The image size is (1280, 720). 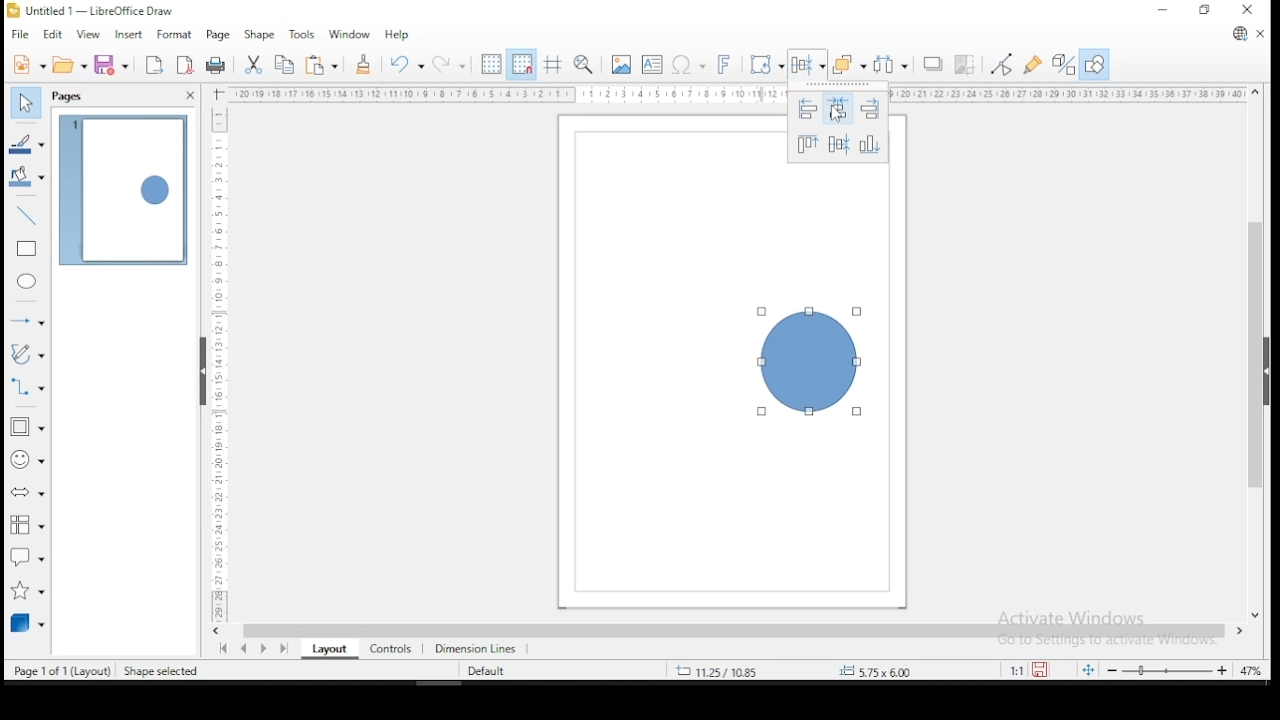 I want to click on paste, so click(x=324, y=65).